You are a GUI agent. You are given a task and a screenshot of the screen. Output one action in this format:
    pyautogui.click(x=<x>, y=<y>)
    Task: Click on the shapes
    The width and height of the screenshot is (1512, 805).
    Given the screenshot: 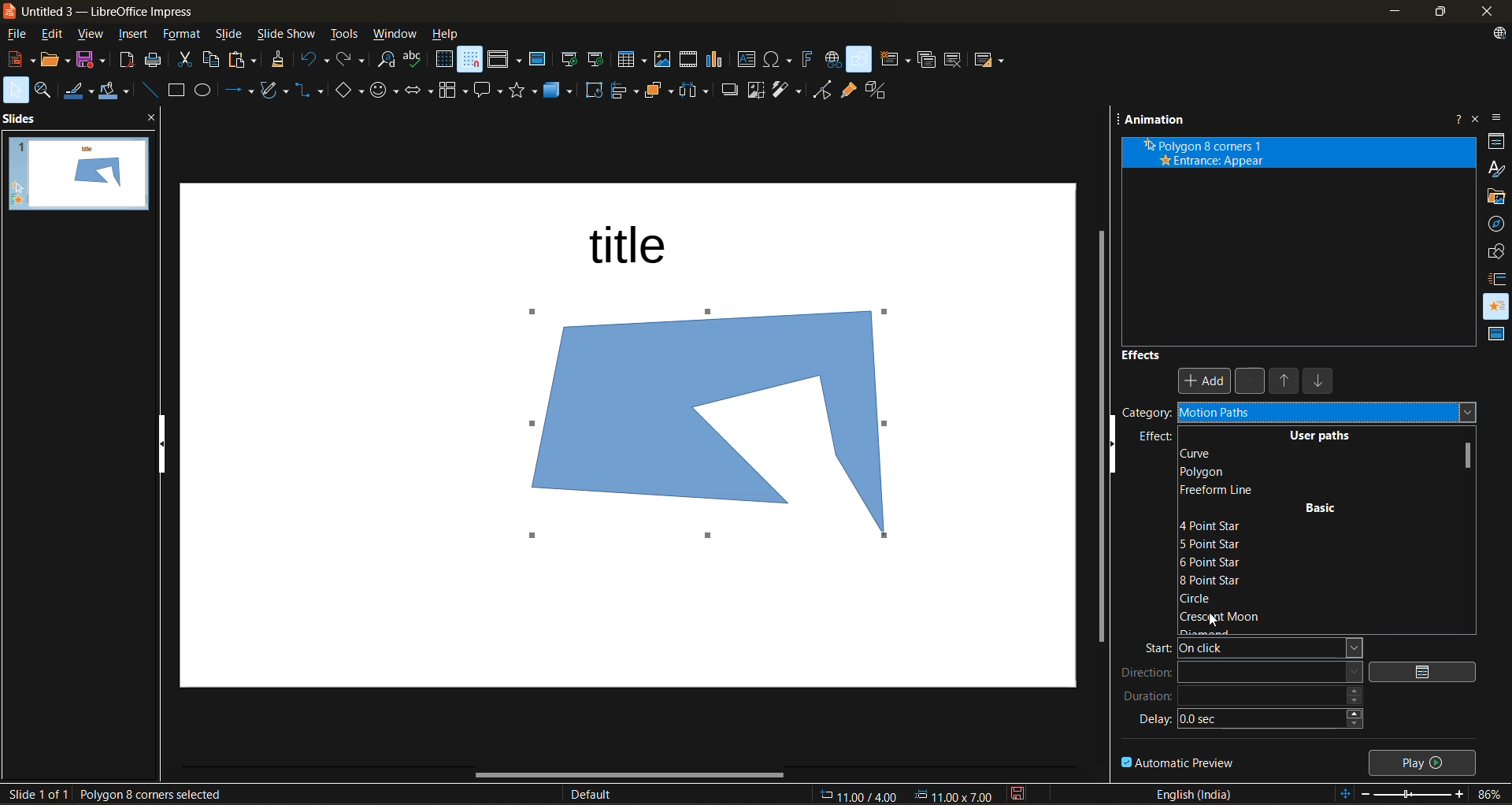 What is the action you would take?
    pyautogui.click(x=1494, y=249)
    